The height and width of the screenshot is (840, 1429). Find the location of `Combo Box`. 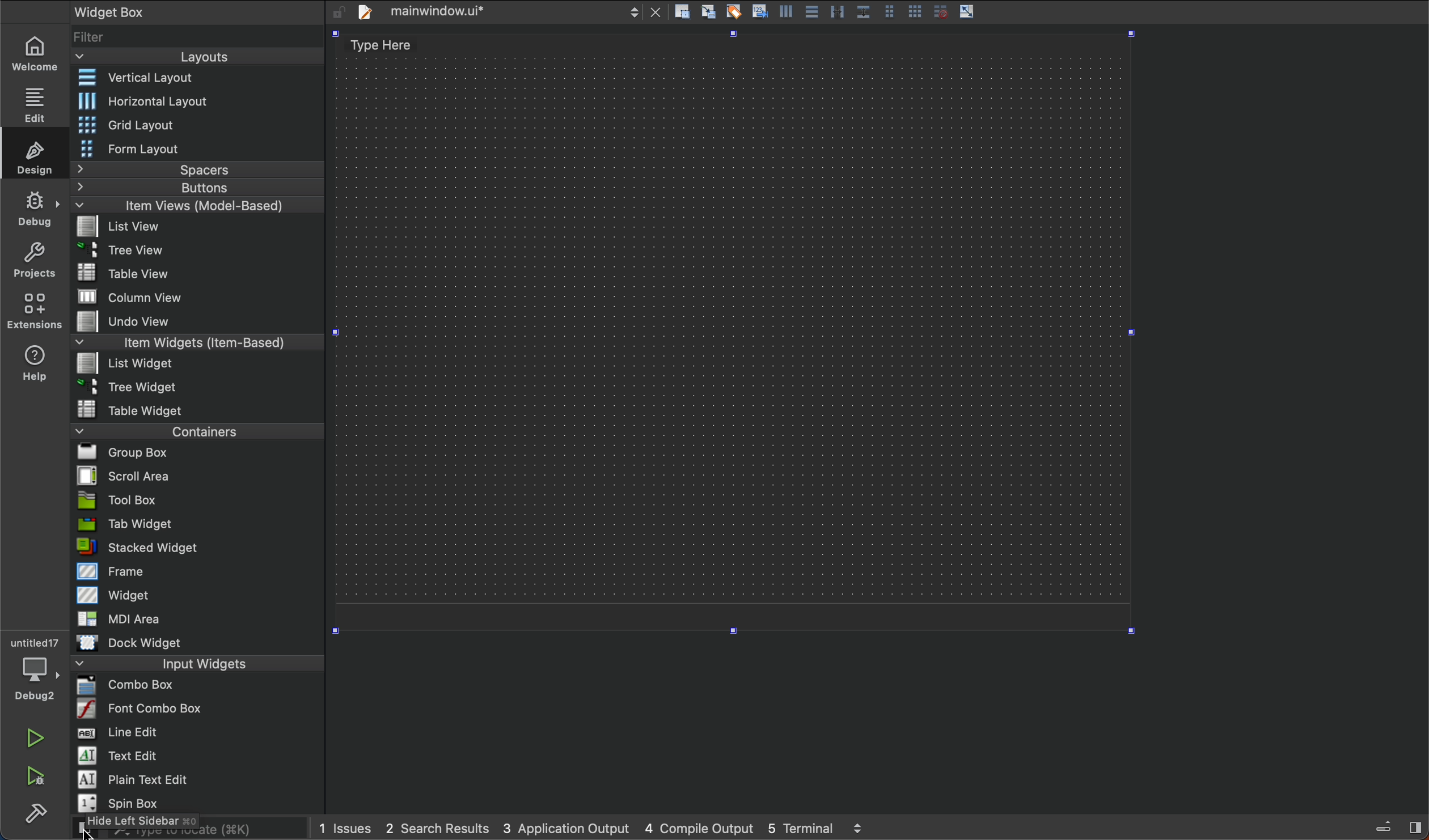

Combo Box is located at coordinates (131, 686).